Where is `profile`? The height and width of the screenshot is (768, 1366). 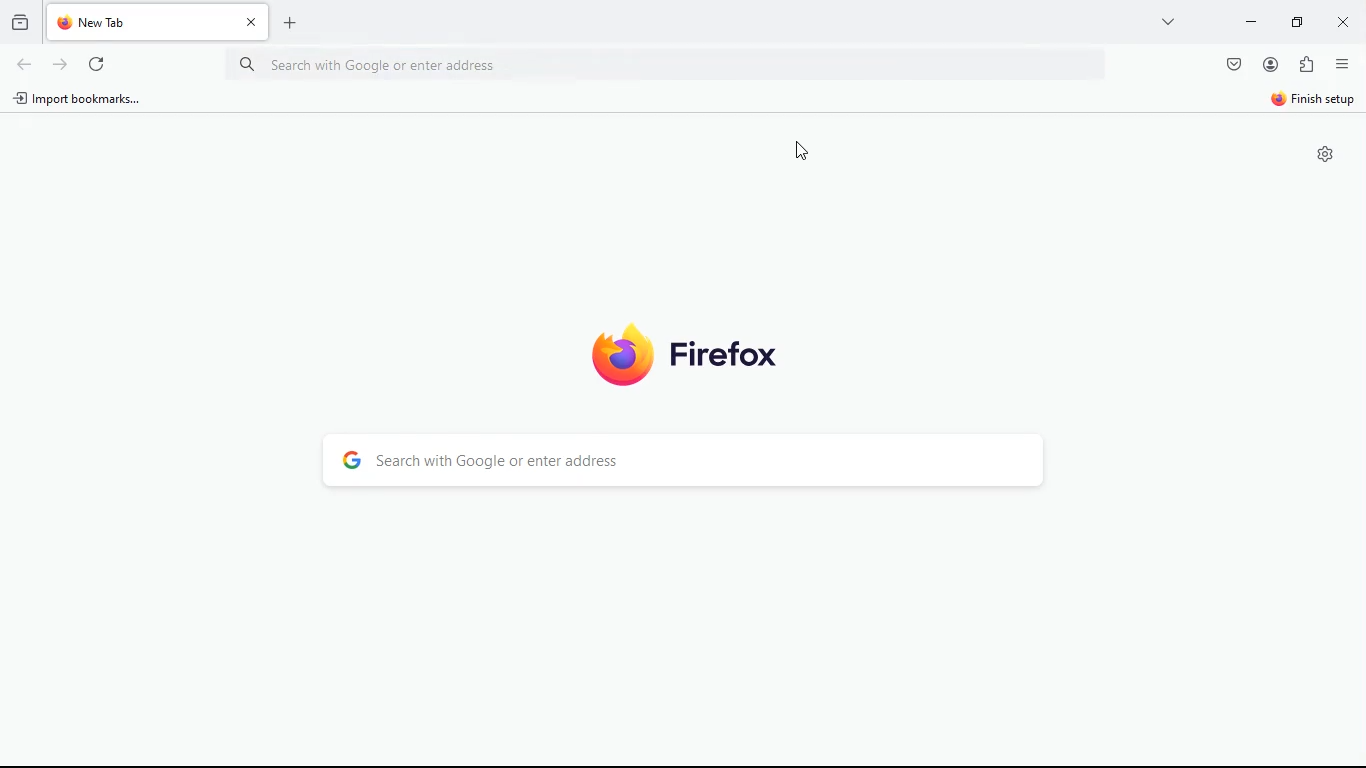 profile is located at coordinates (1270, 65).